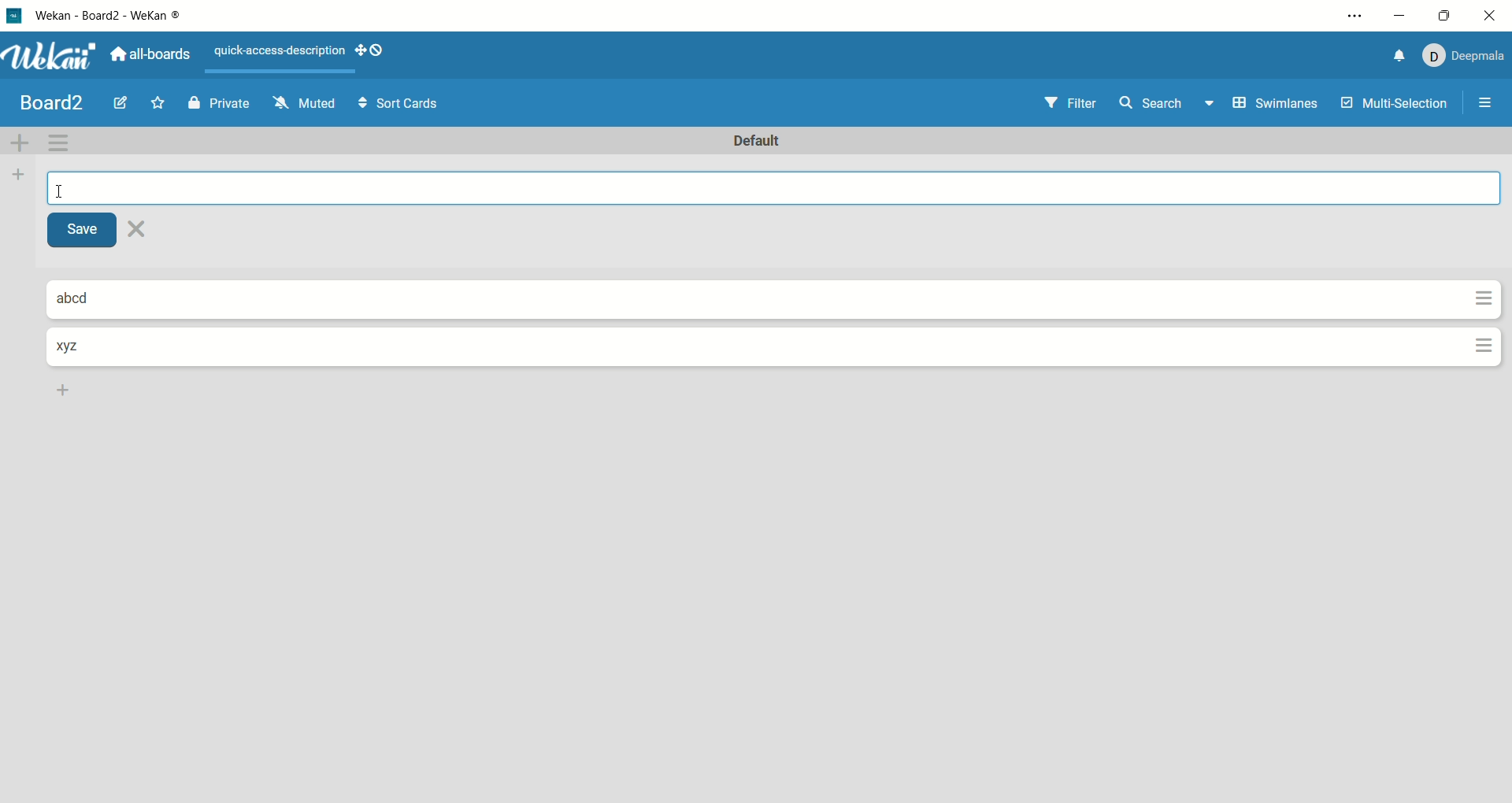  Describe the element at coordinates (65, 390) in the screenshot. I see `add list at the bottom` at that location.